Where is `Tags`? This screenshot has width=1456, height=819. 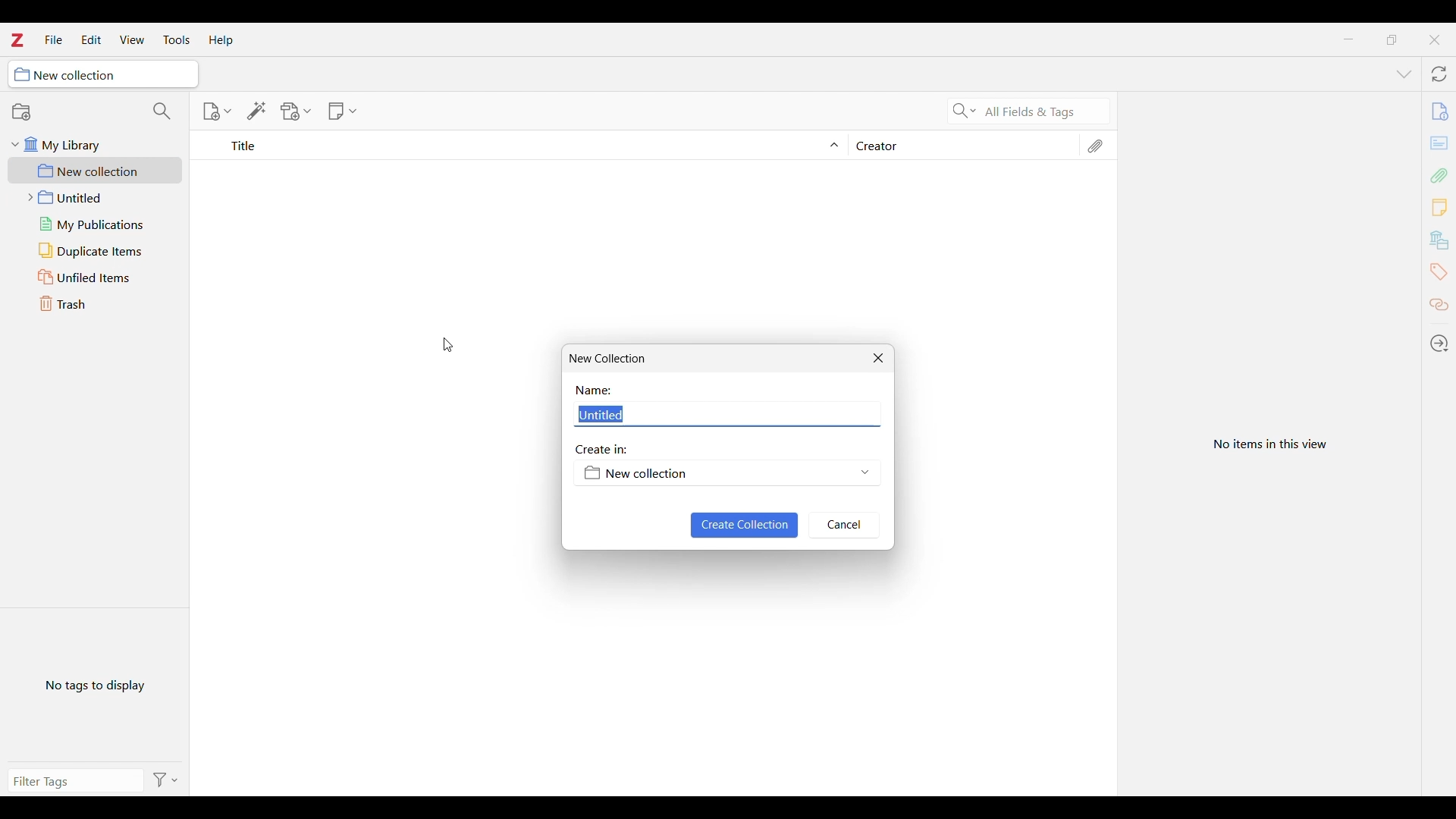
Tags is located at coordinates (1438, 272).